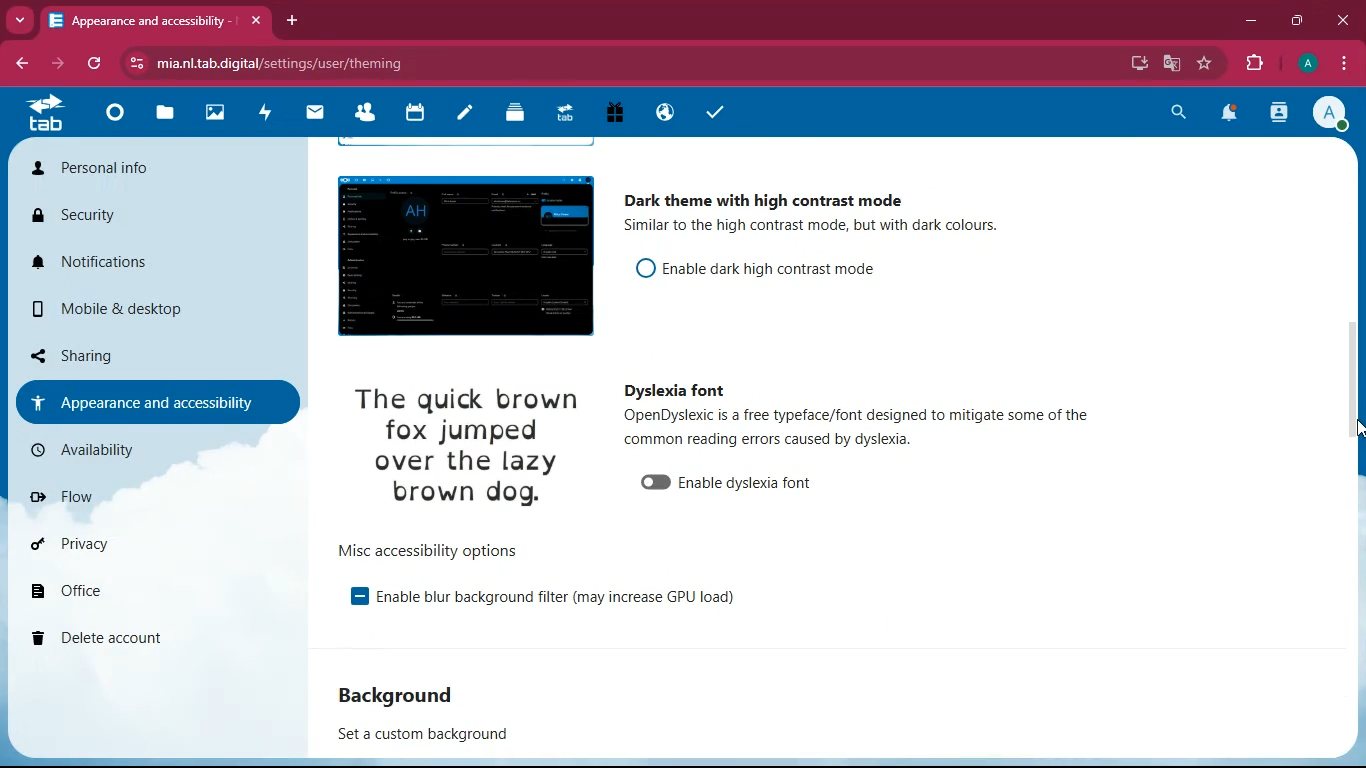 The image size is (1366, 768). What do you see at coordinates (271, 110) in the screenshot?
I see `activity` at bounding box center [271, 110].